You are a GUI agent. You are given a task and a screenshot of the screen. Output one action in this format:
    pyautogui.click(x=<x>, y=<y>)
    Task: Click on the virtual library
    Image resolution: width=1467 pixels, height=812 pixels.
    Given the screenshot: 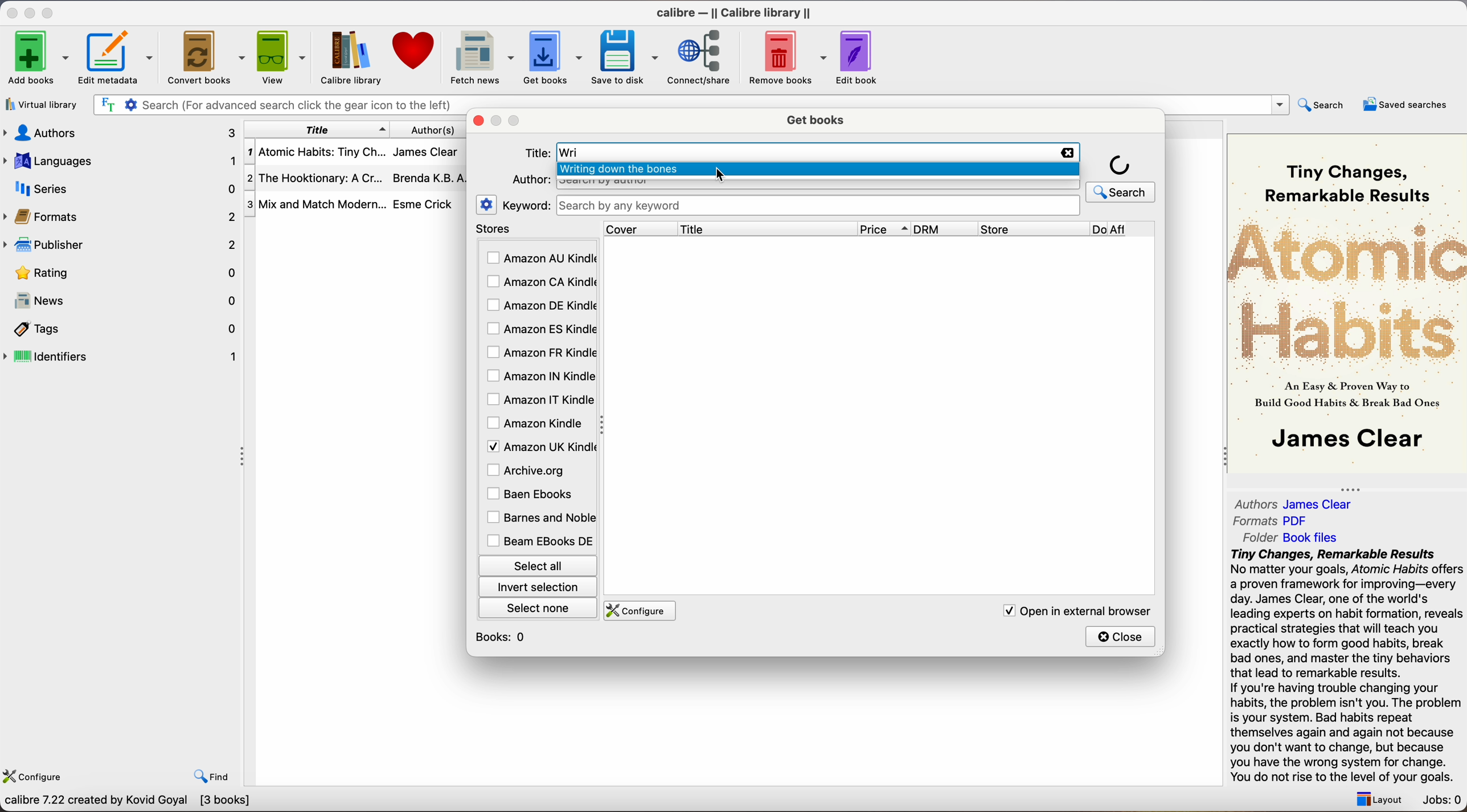 What is the action you would take?
    pyautogui.click(x=42, y=106)
    